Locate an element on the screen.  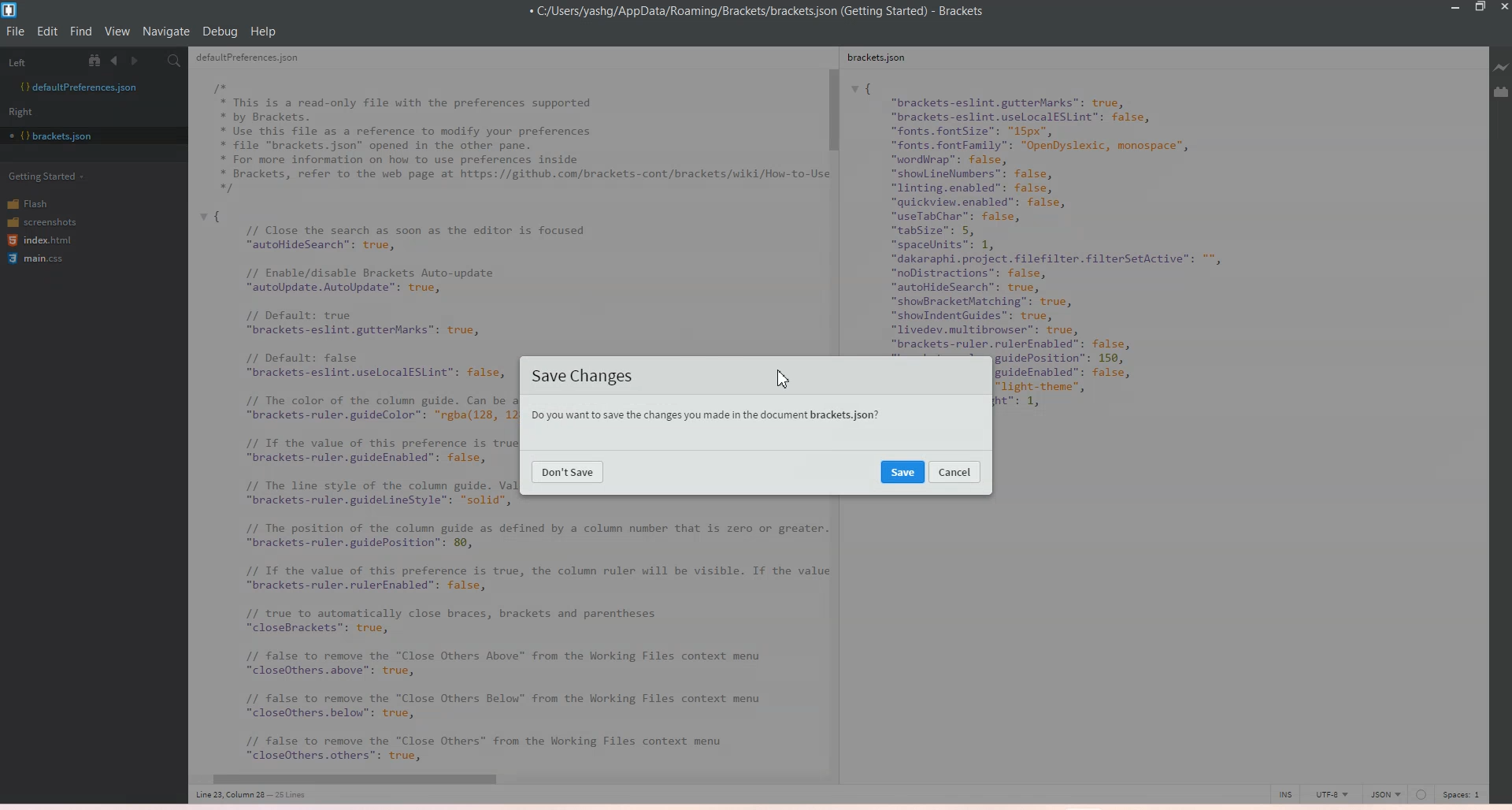
Don't Save is located at coordinates (568, 471).